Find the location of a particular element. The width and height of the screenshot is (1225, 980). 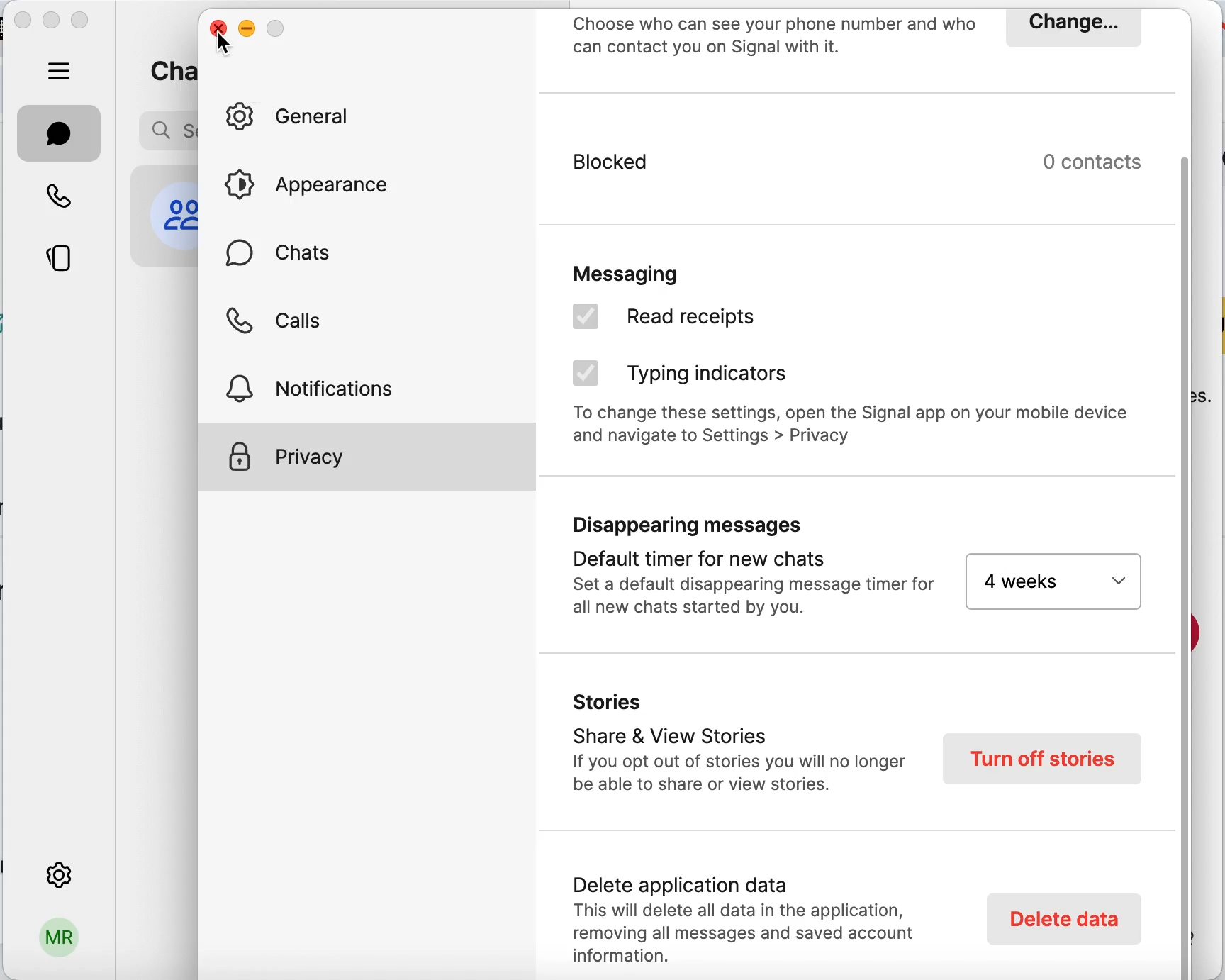

notifications is located at coordinates (327, 386).